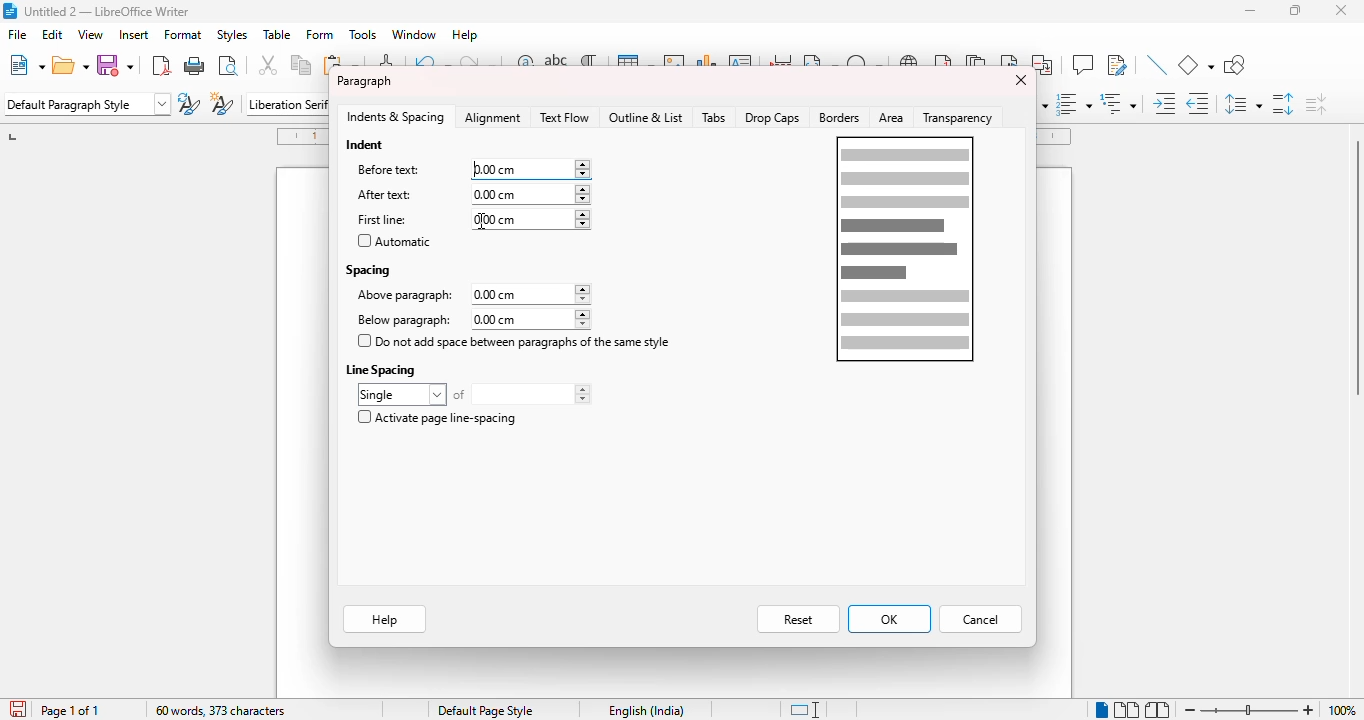  What do you see at coordinates (366, 144) in the screenshot?
I see `indent` at bounding box center [366, 144].